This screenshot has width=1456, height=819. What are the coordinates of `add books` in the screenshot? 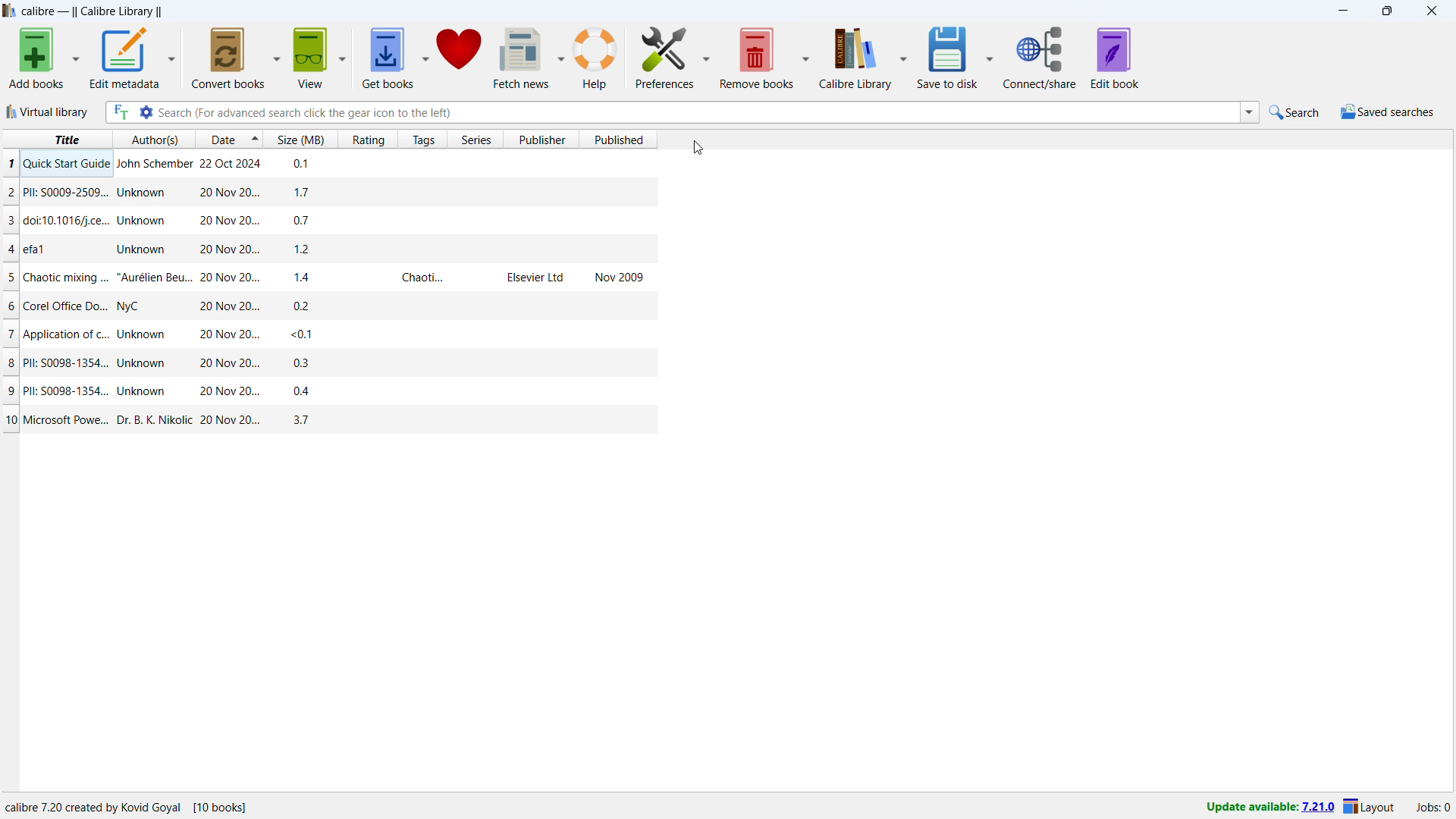 It's located at (37, 58).